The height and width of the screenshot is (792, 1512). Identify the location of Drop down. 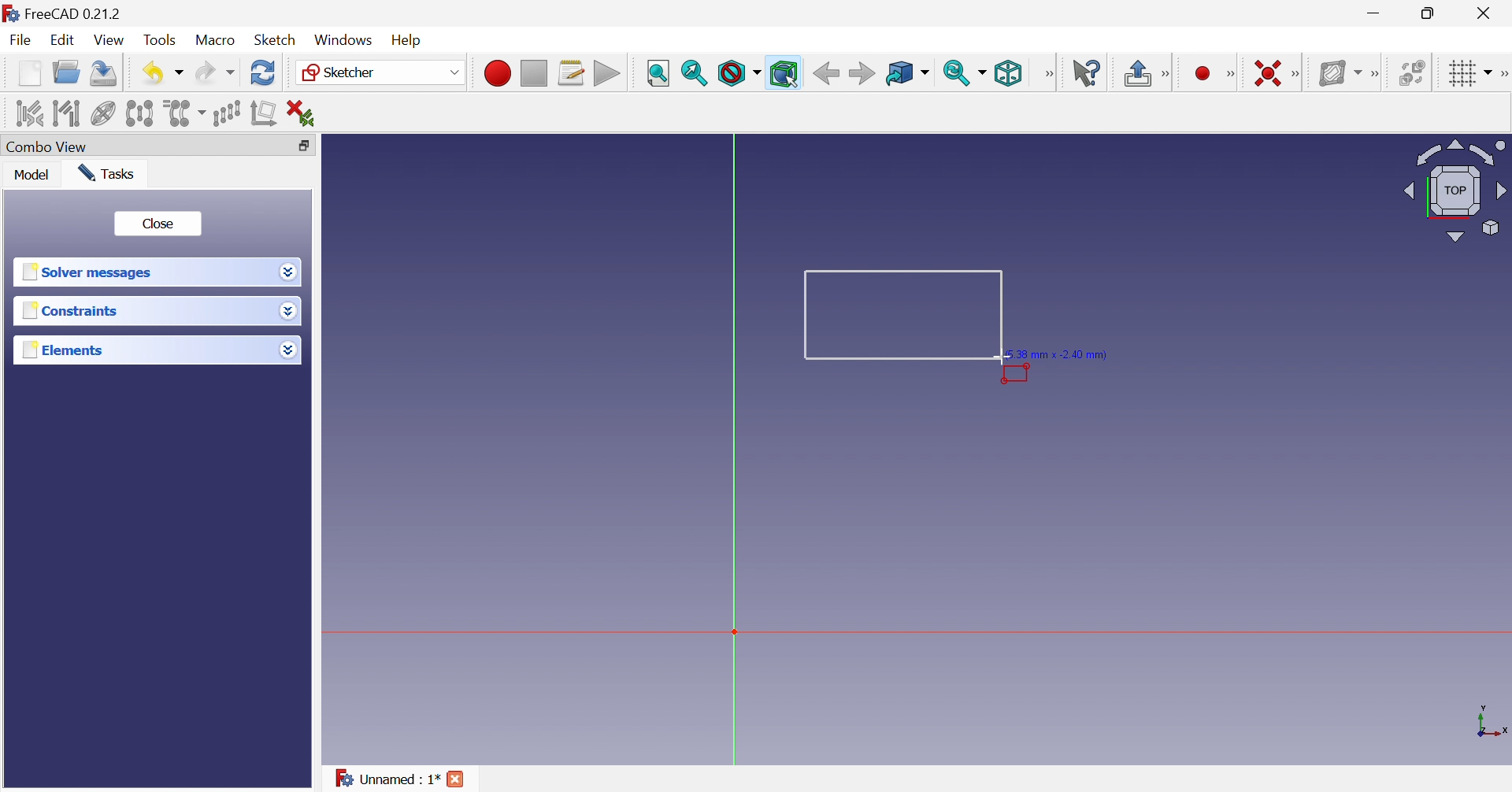
(288, 311).